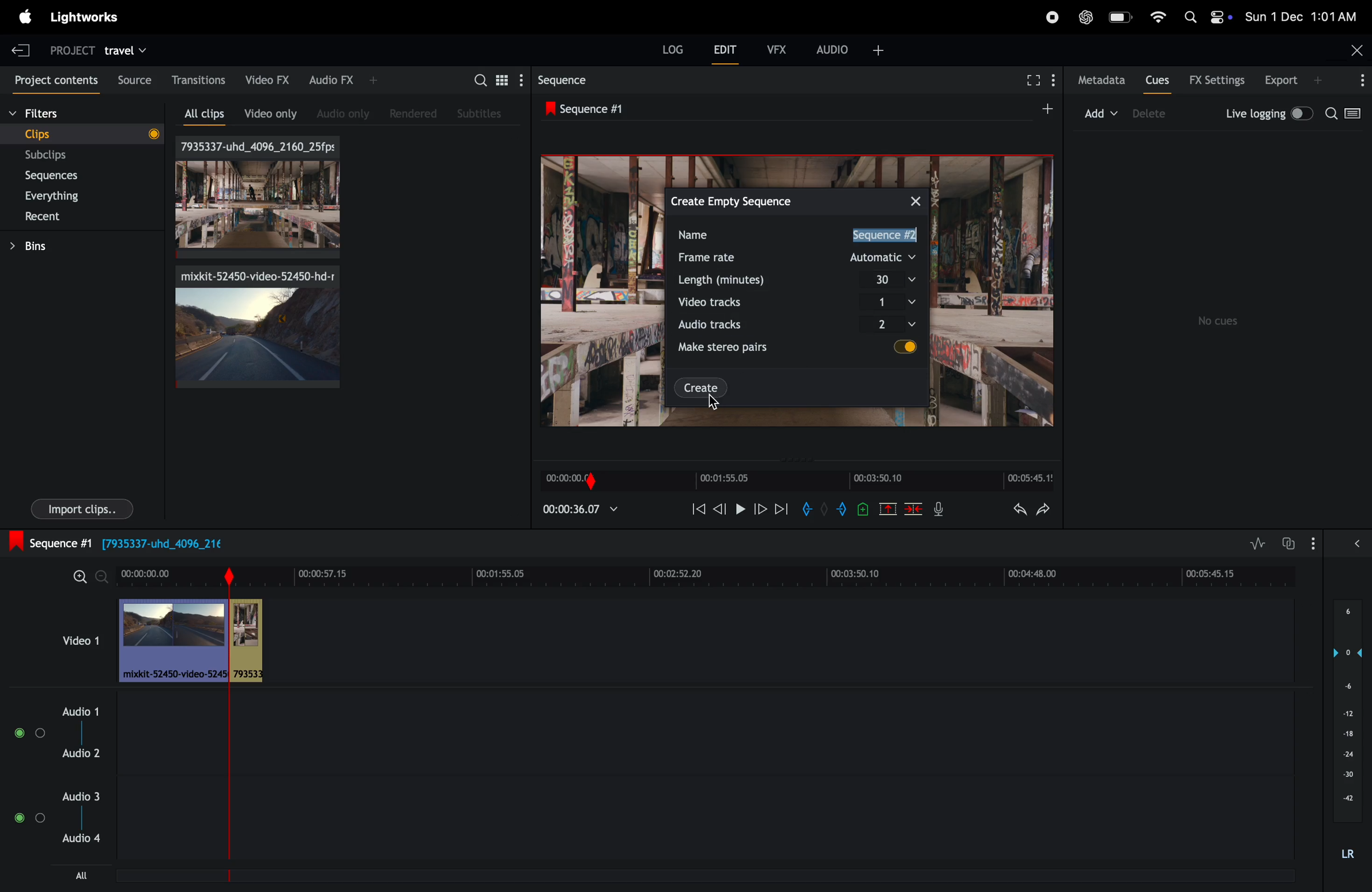 The image size is (1372, 892). What do you see at coordinates (268, 78) in the screenshot?
I see `video fx` at bounding box center [268, 78].